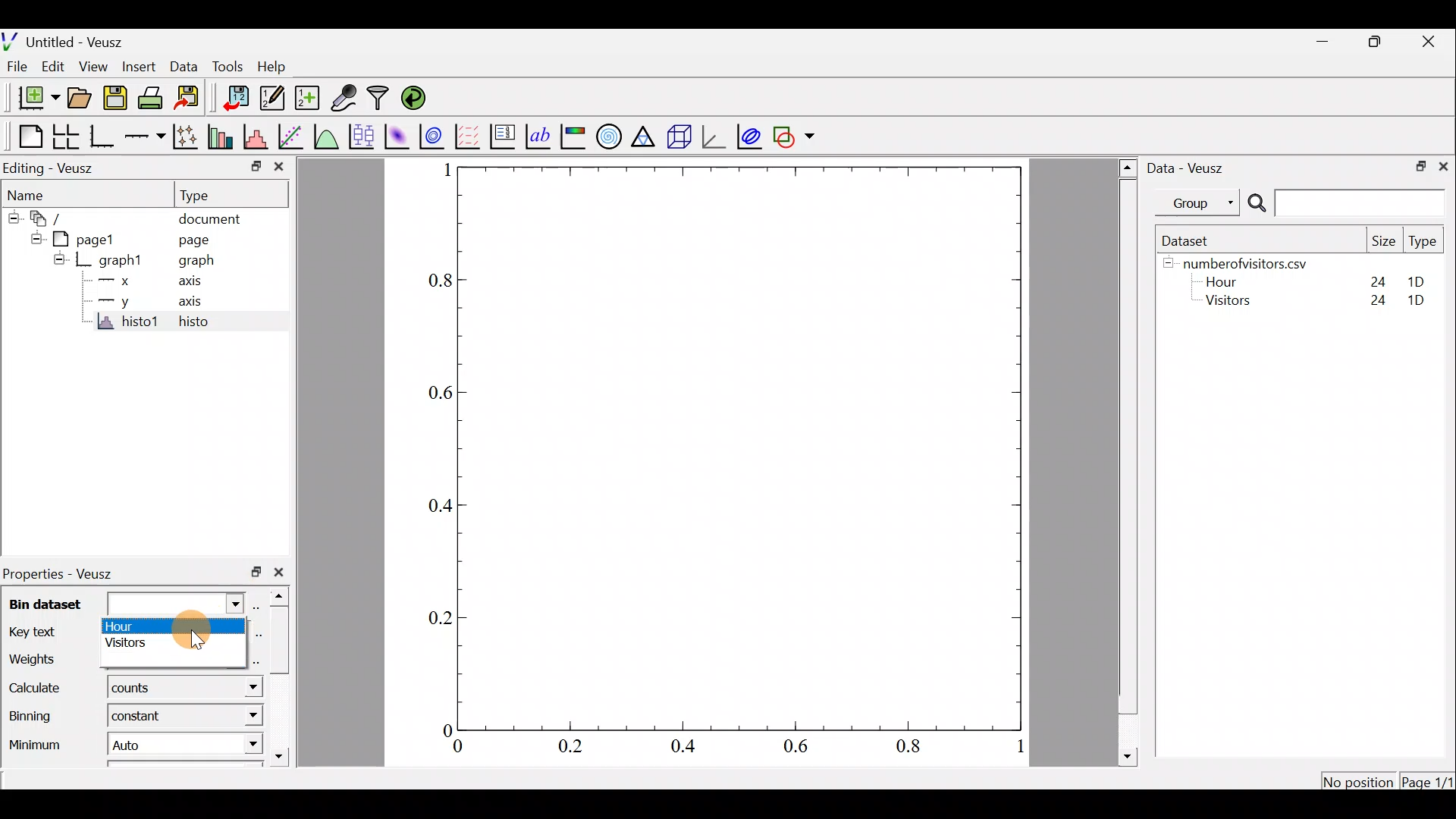  Describe the element at coordinates (501, 136) in the screenshot. I see `plot key` at that location.